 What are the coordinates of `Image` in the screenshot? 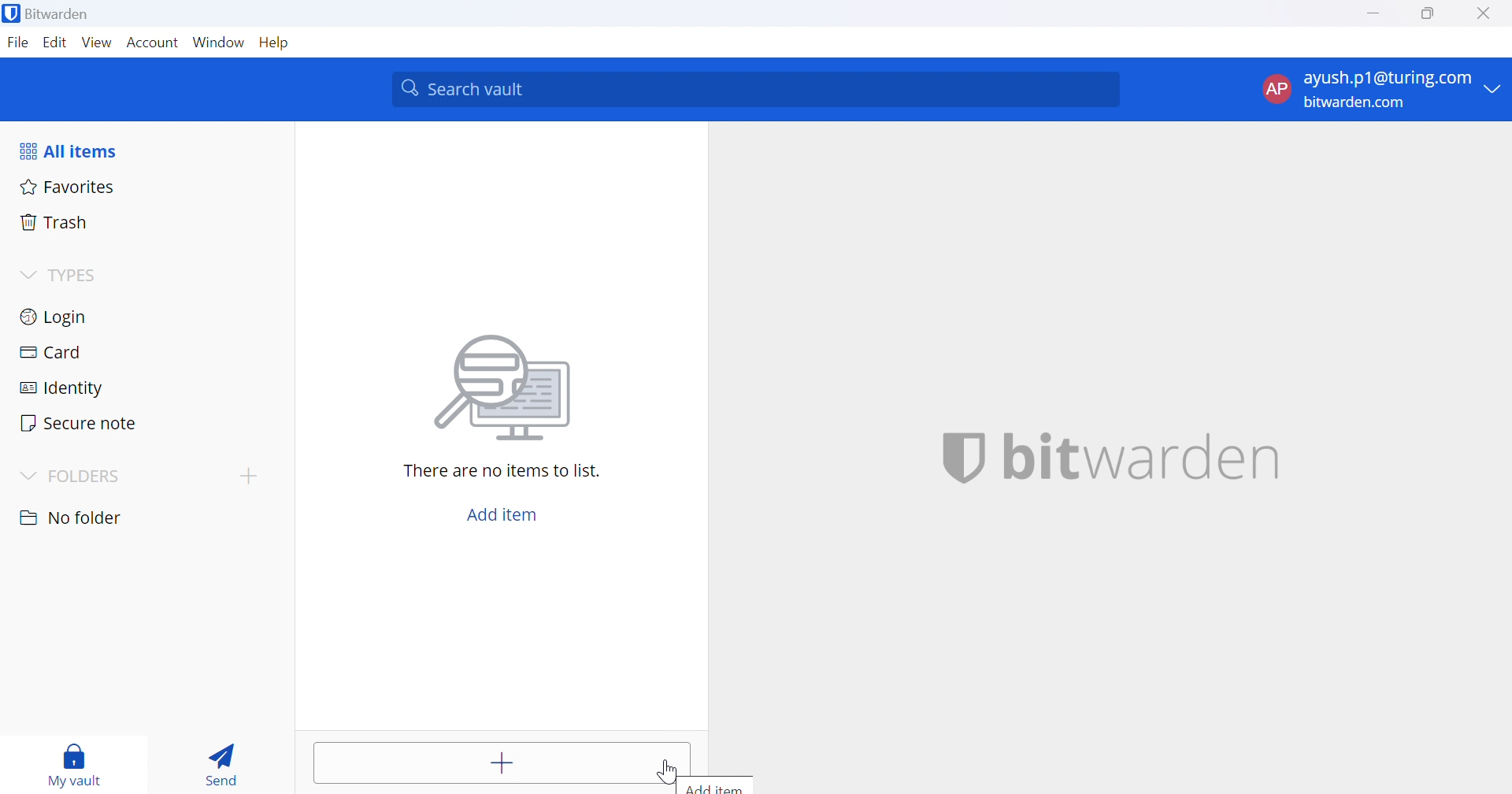 It's located at (505, 388).